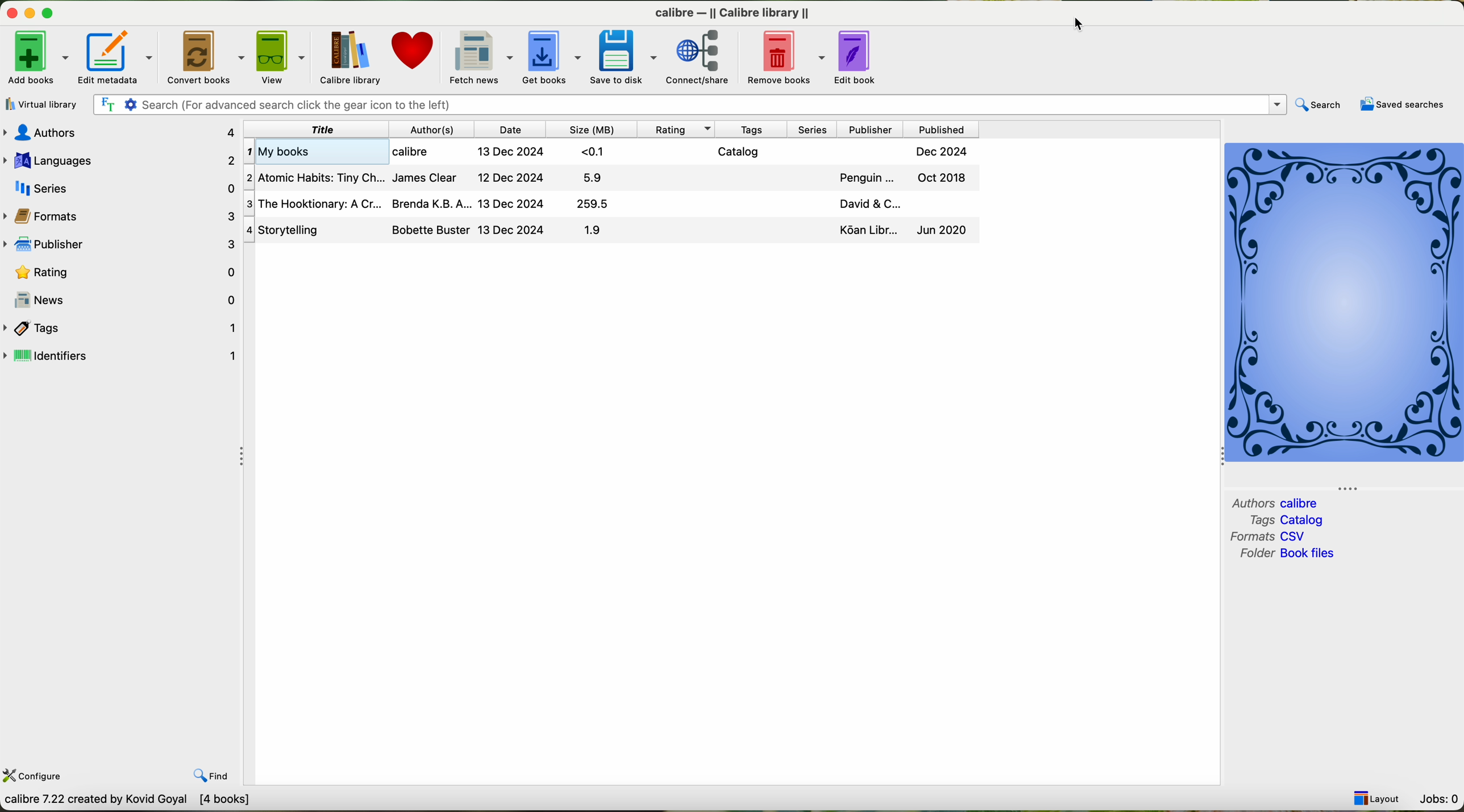 The image size is (1464, 812). I want to click on search bar, so click(691, 105).